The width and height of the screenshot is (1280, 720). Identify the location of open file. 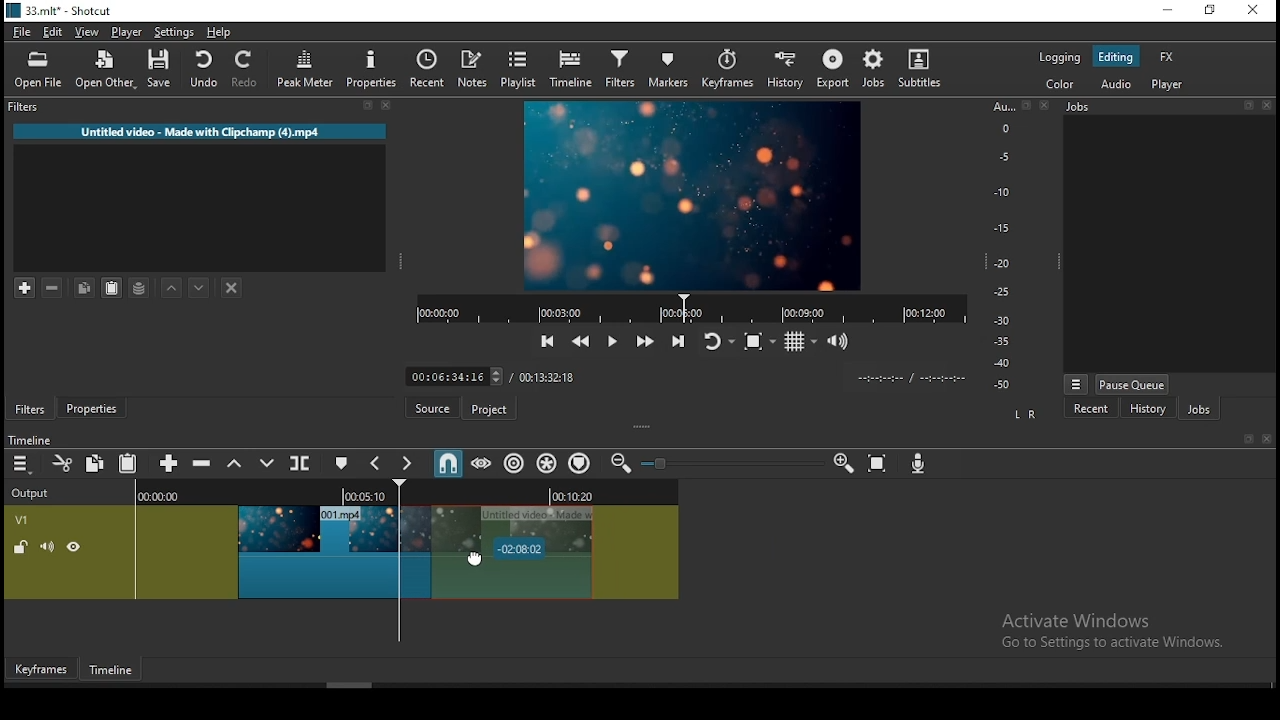
(43, 72).